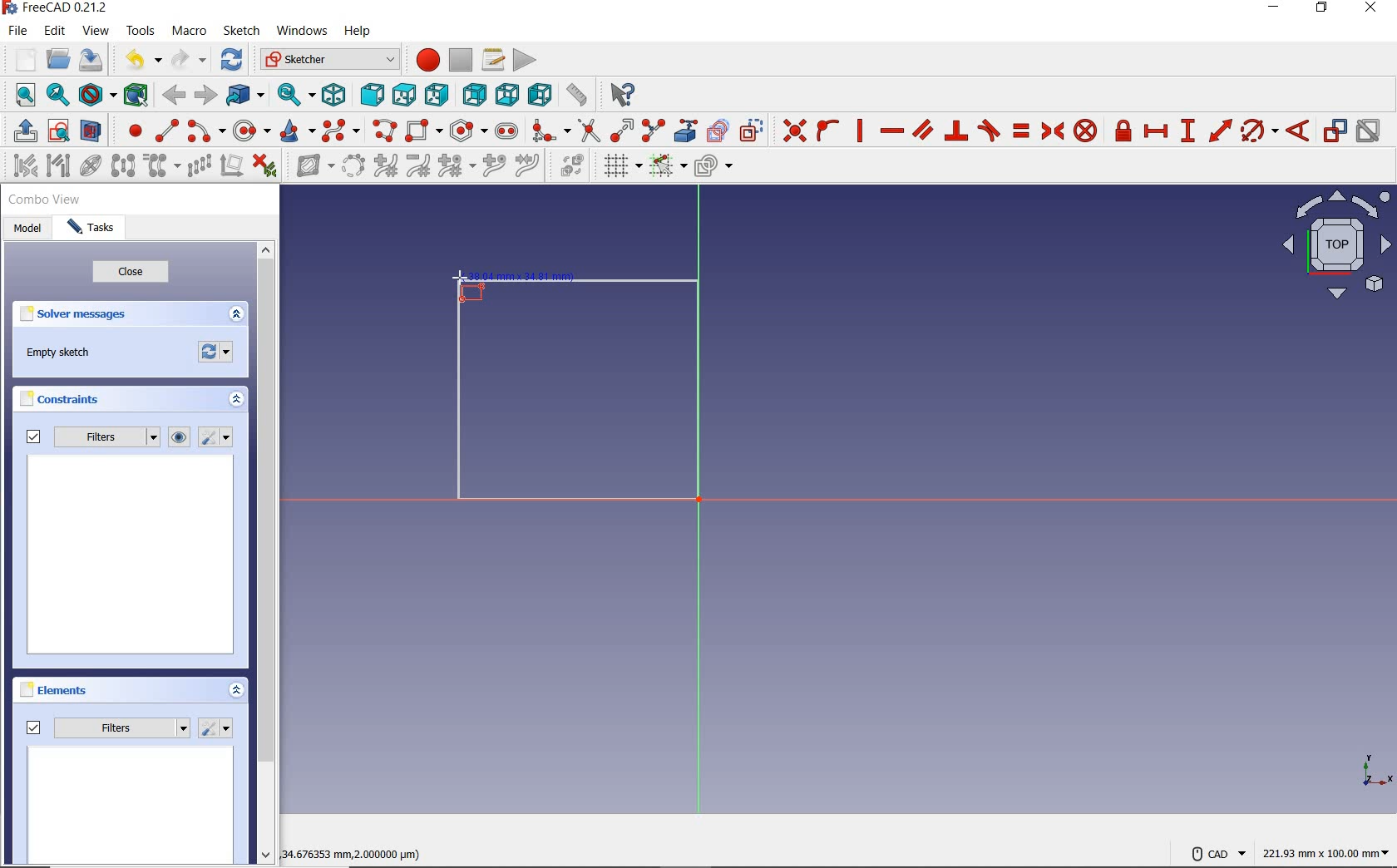  I want to click on tools, so click(140, 32).